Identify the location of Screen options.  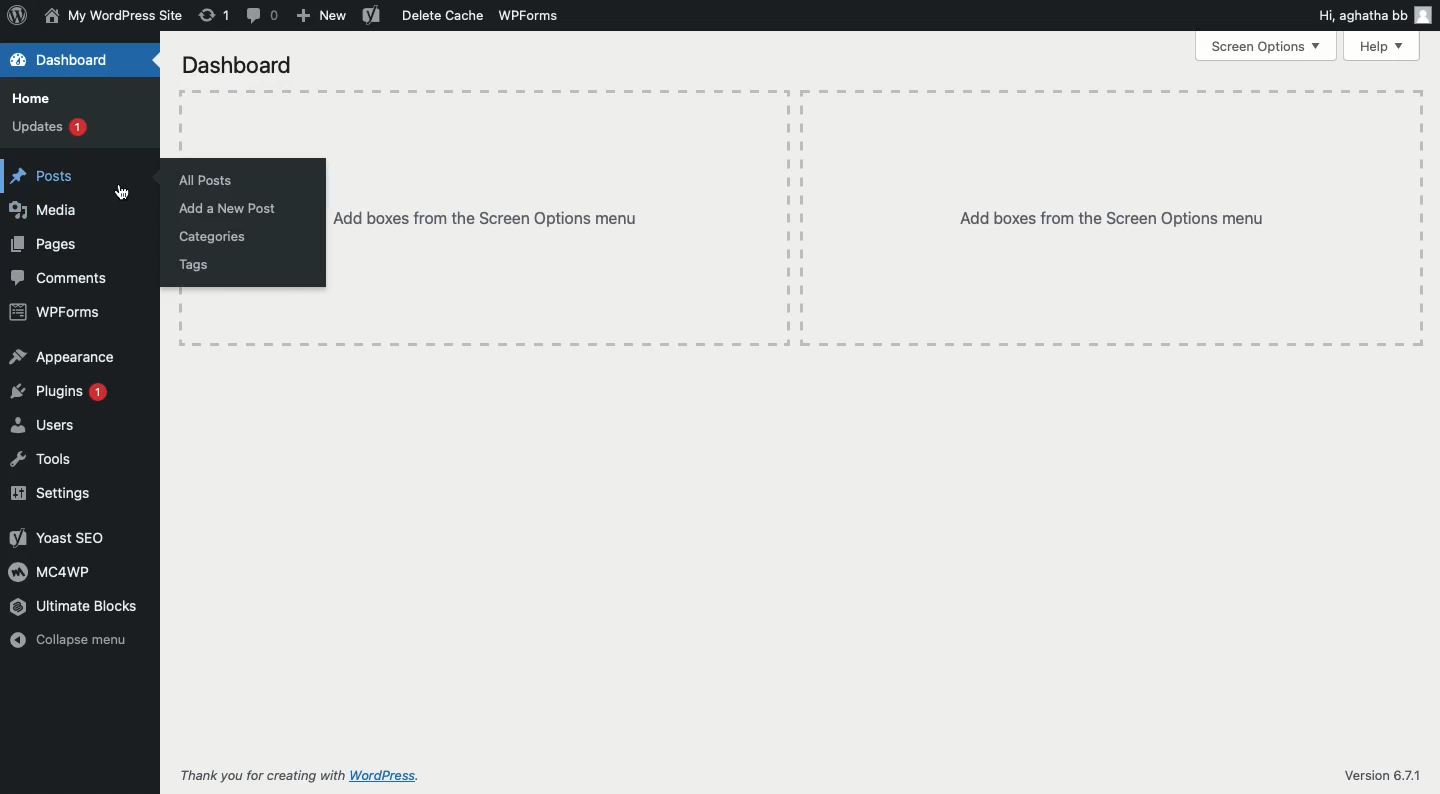
(1267, 46).